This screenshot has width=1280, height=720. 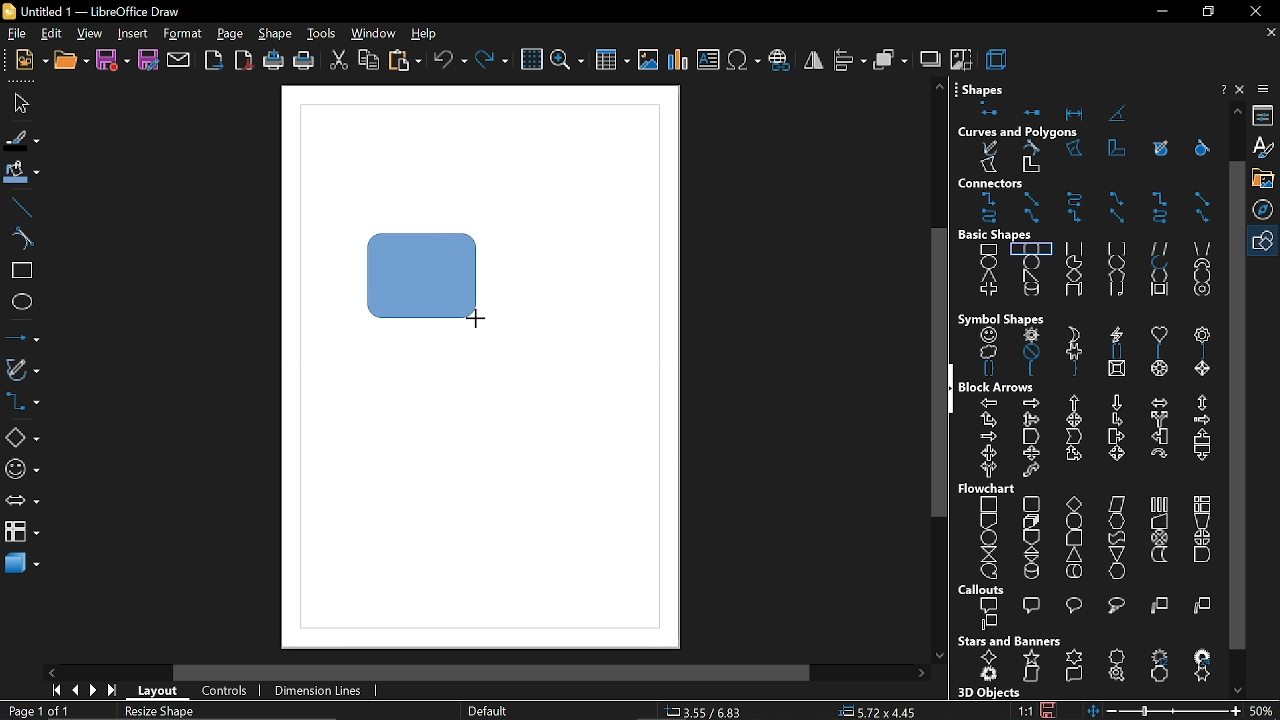 I want to click on flowchart, so click(x=22, y=531).